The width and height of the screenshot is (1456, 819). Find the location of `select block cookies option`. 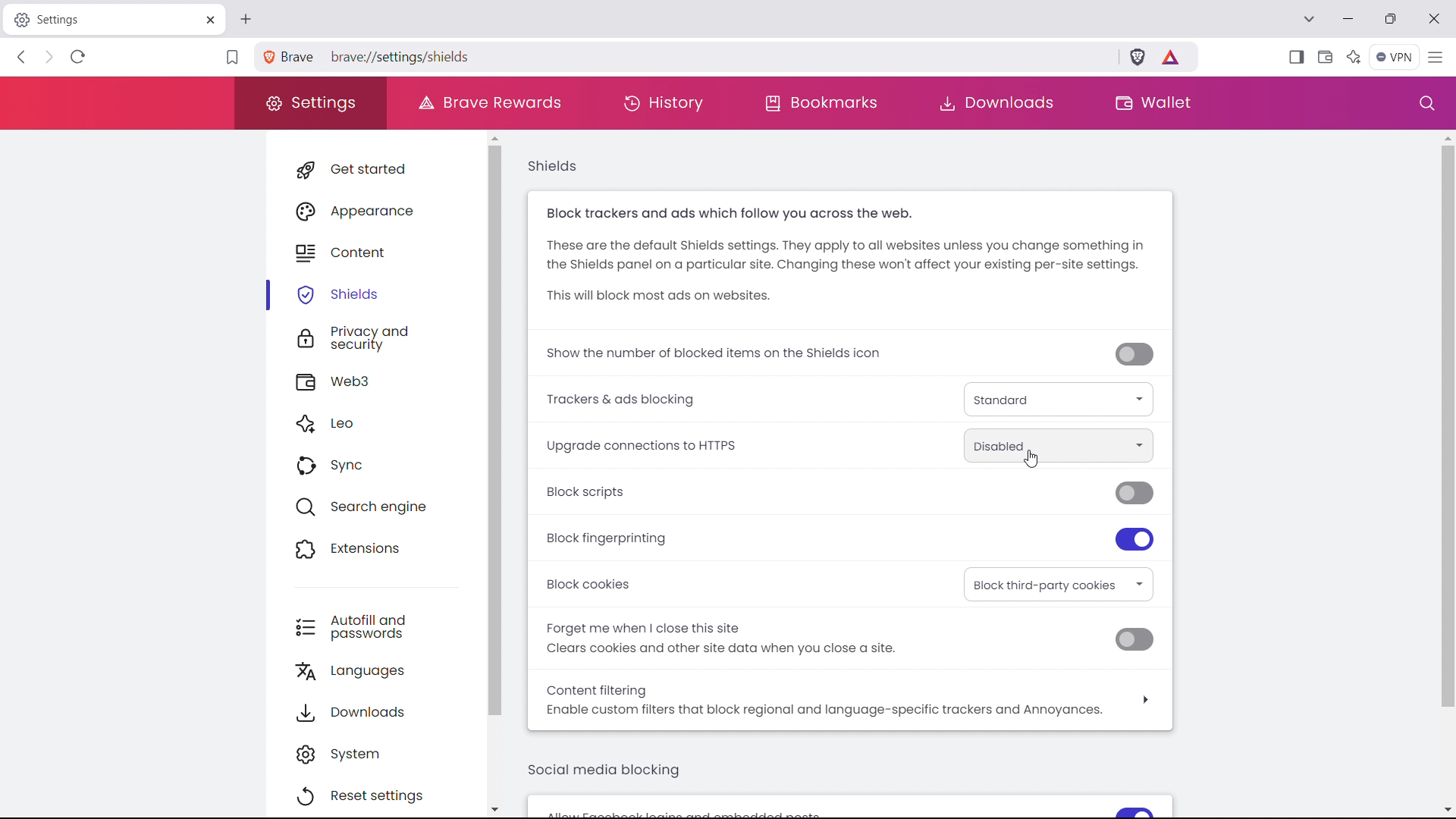

select block cookies option is located at coordinates (1060, 584).